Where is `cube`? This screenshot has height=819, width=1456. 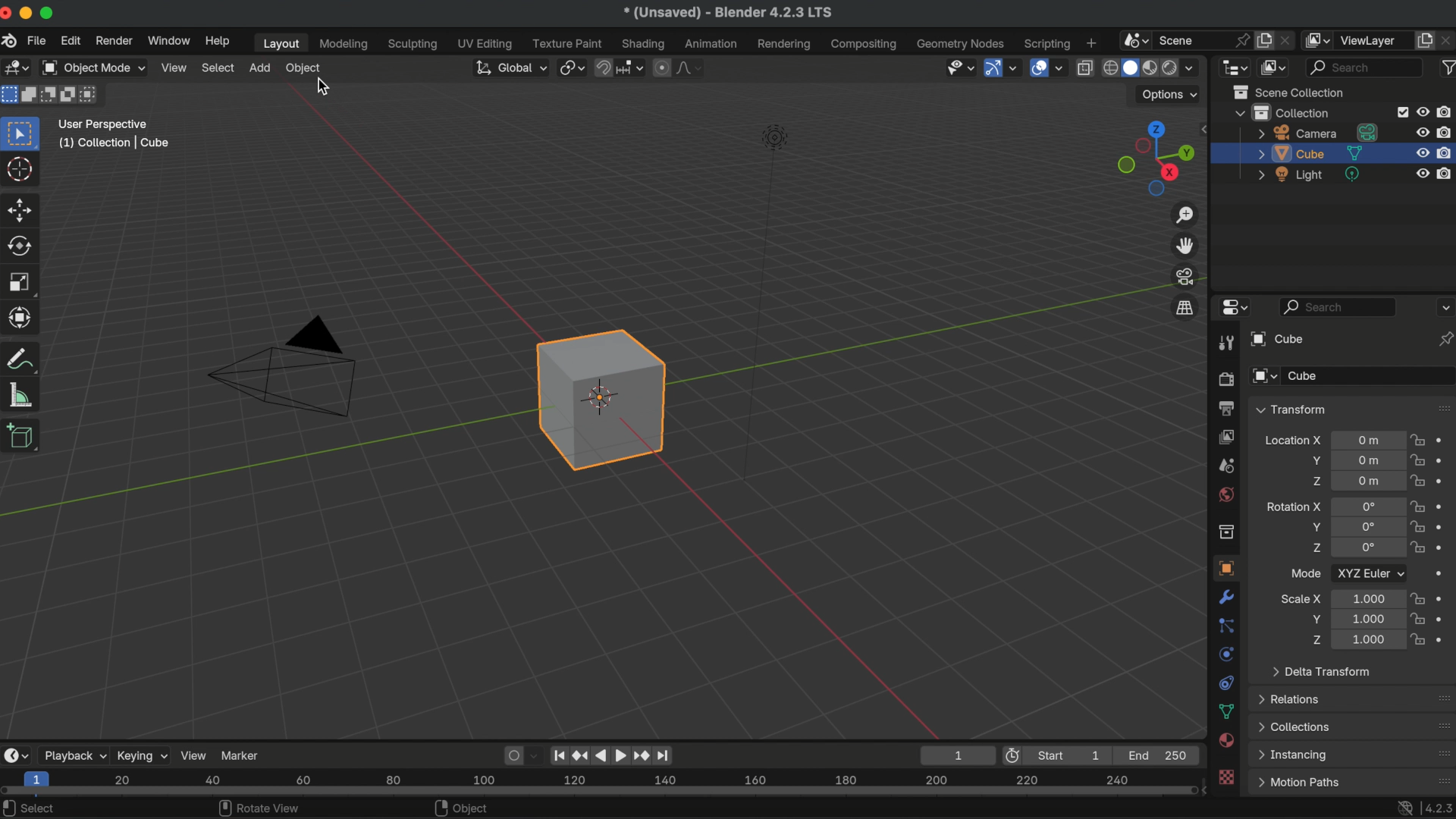
cube is located at coordinates (1310, 153).